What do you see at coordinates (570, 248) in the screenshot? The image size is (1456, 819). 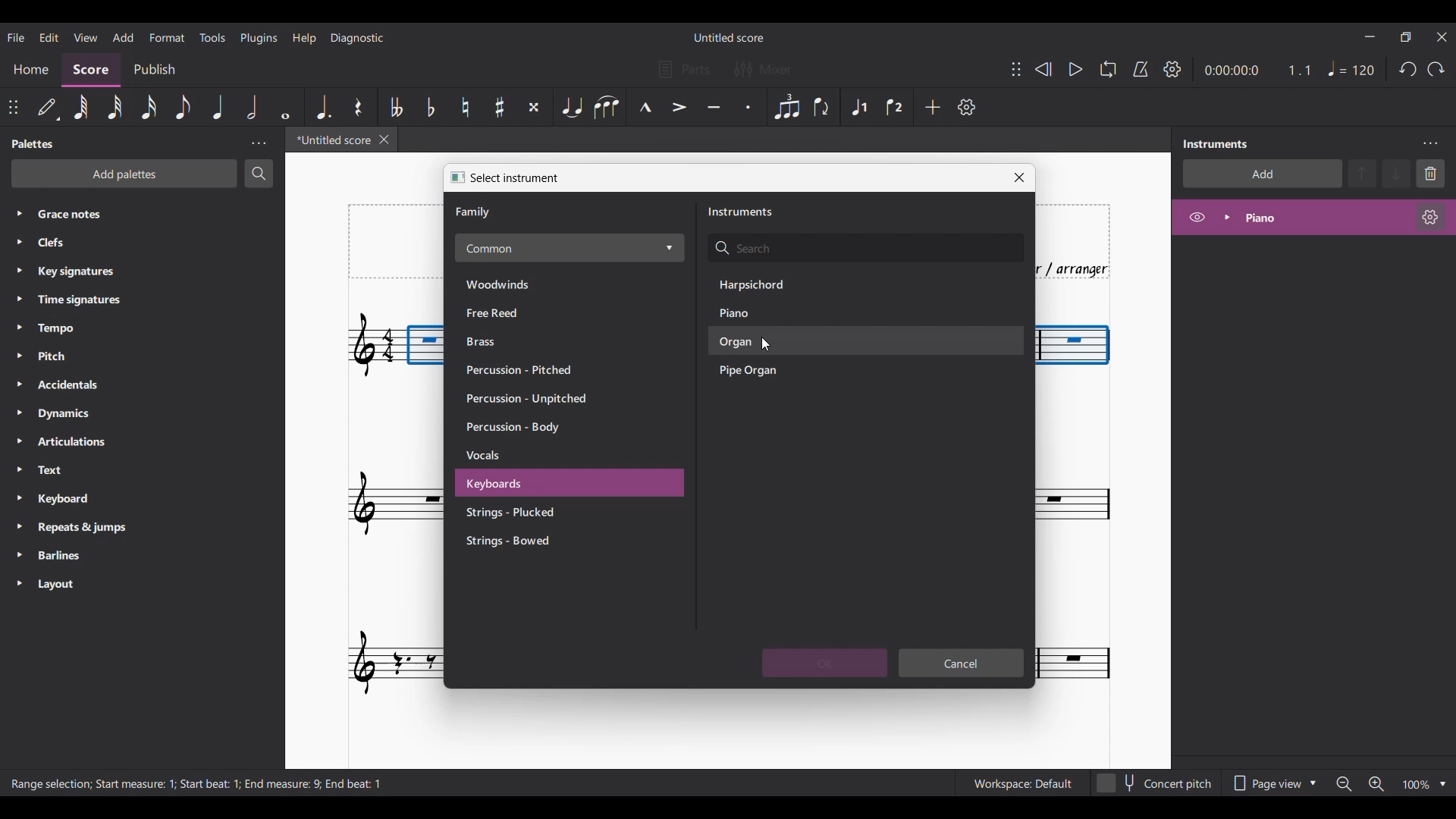 I see `List of common instruments` at bounding box center [570, 248].